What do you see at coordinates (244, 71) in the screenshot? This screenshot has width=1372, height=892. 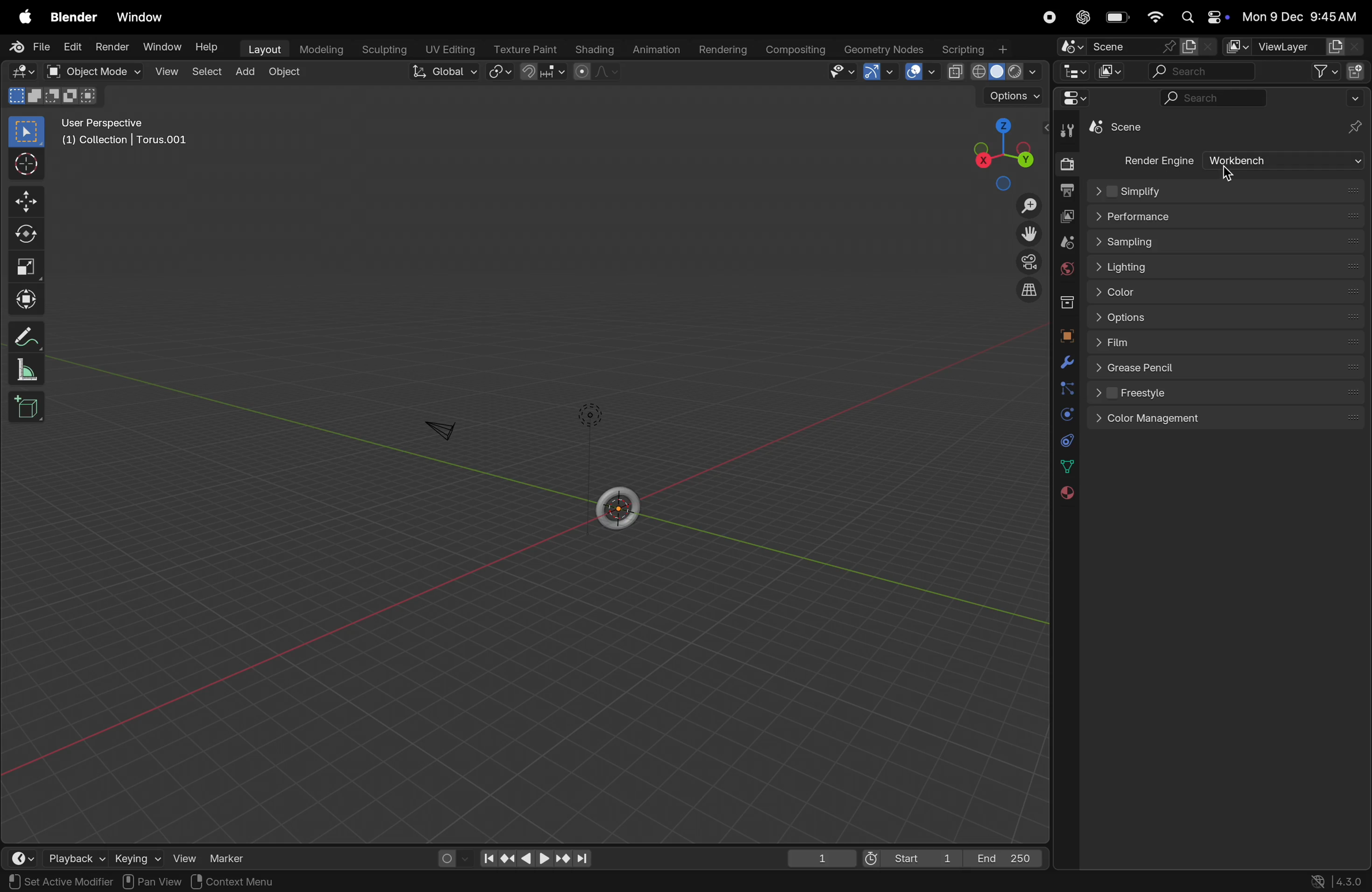 I see `add` at bounding box center [244, 71].